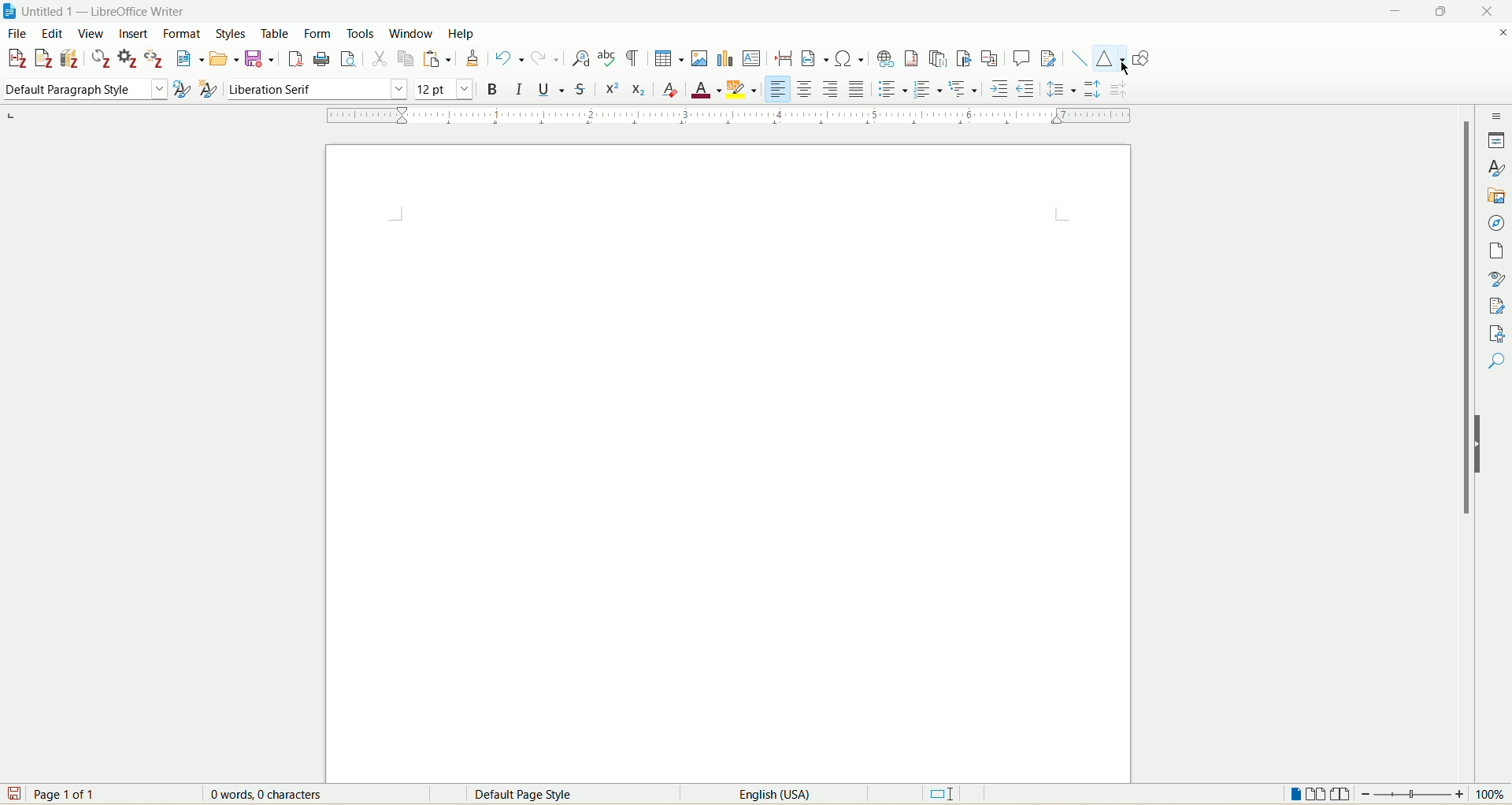 The width and height of the screenshot is (1512, 805). What do you see at coordinates (349, 58) in the screenshot?
I see `print preview` at bounding box center [349, 58].